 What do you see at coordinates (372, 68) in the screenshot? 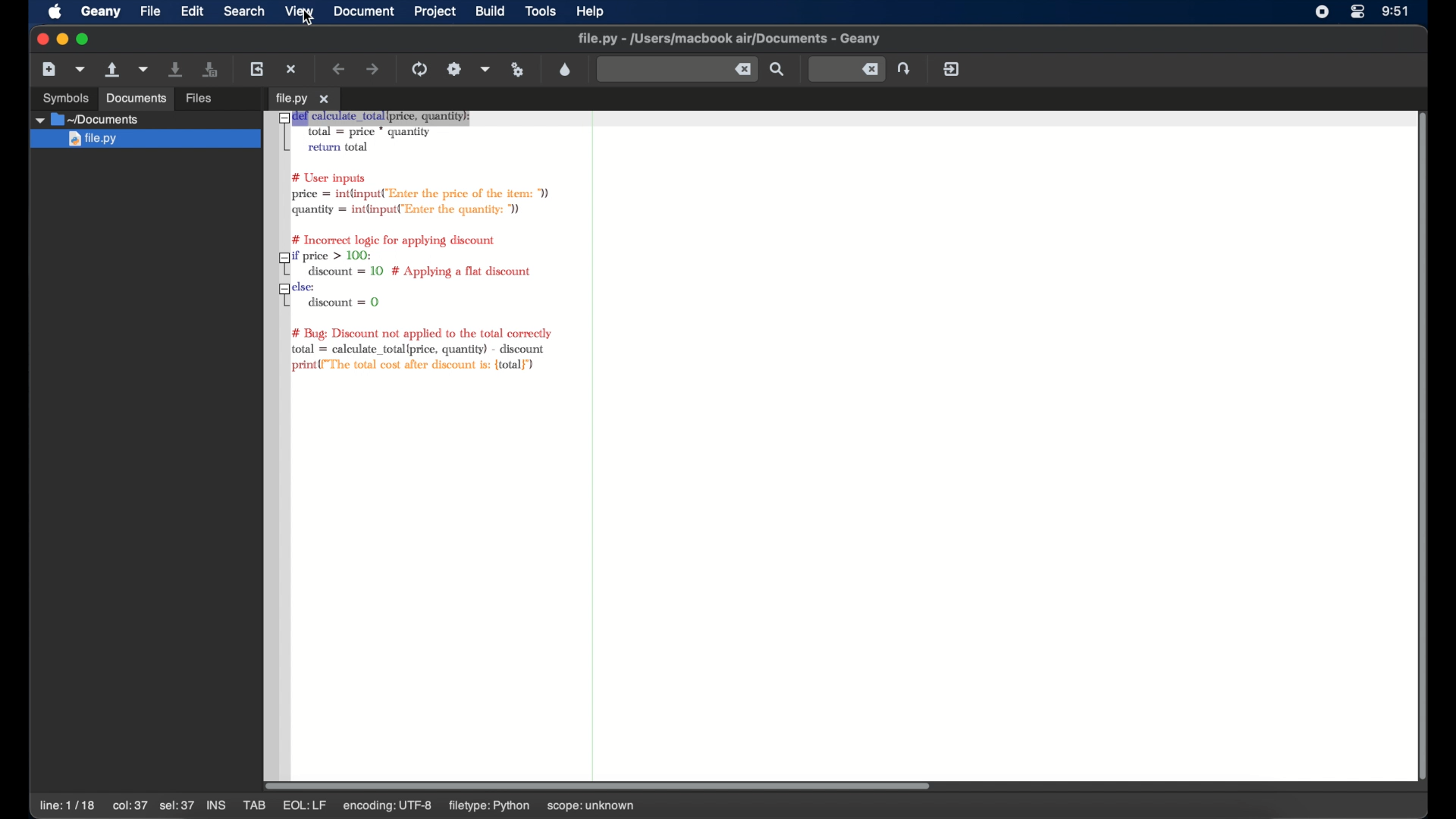
I see `navigate forward a location` at bounding box center [372, 68].